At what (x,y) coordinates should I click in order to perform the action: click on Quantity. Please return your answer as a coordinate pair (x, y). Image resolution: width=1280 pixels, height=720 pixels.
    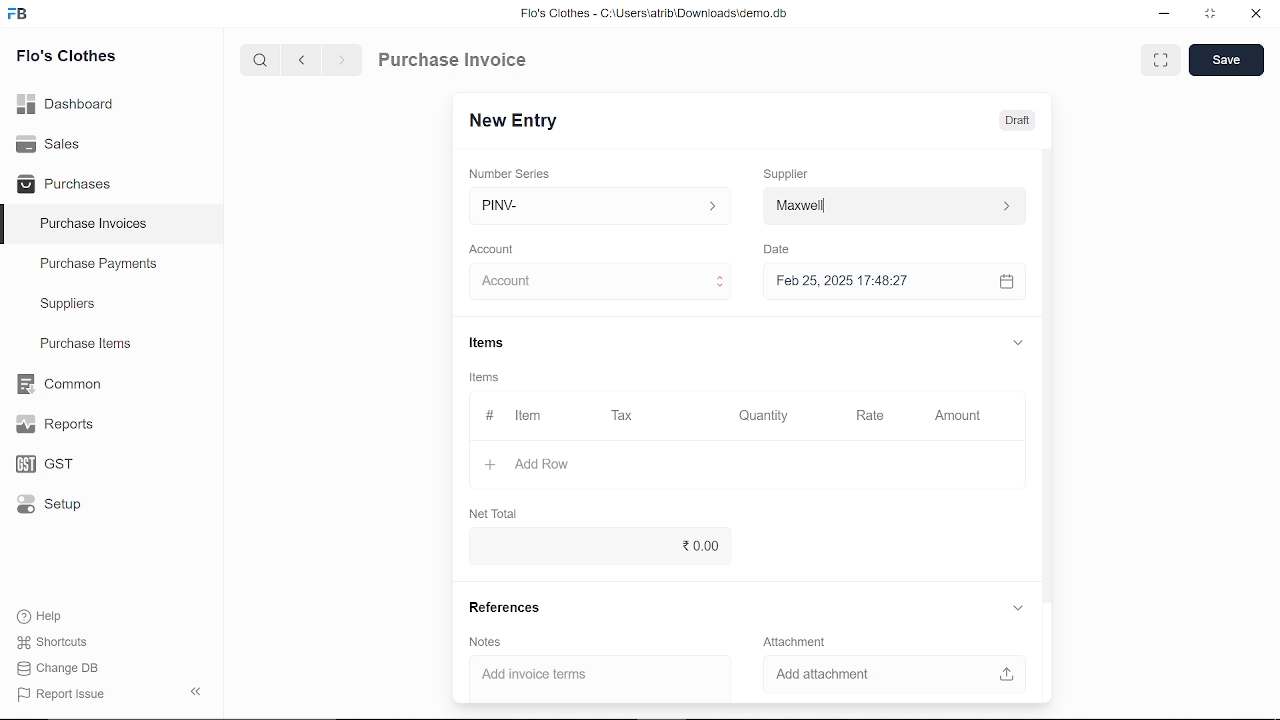
    Looking at the image, I should click on (766, 415).